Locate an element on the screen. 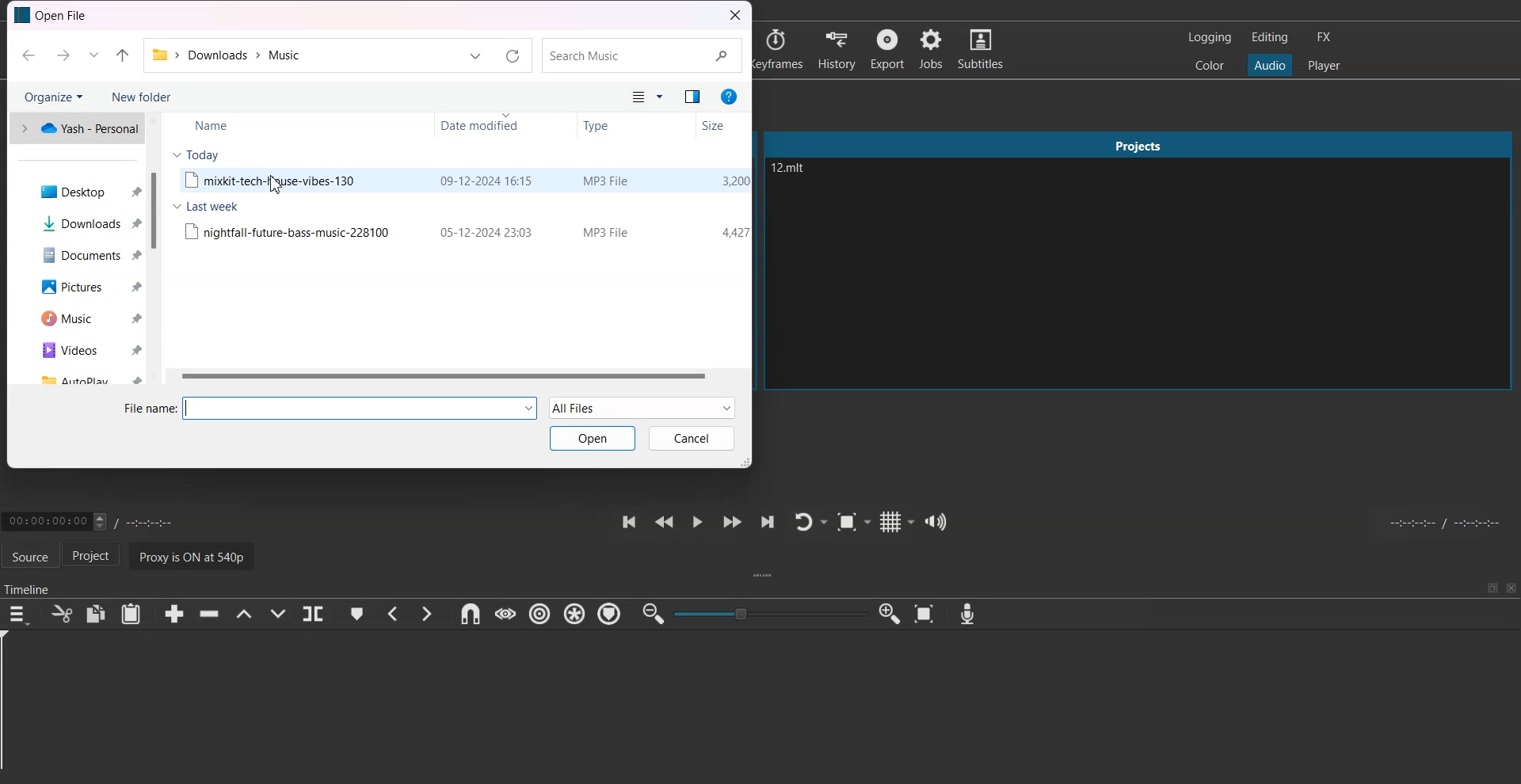 The height and width of the screenshot is (784, 1521). Project is located at coordinates (97, 557).